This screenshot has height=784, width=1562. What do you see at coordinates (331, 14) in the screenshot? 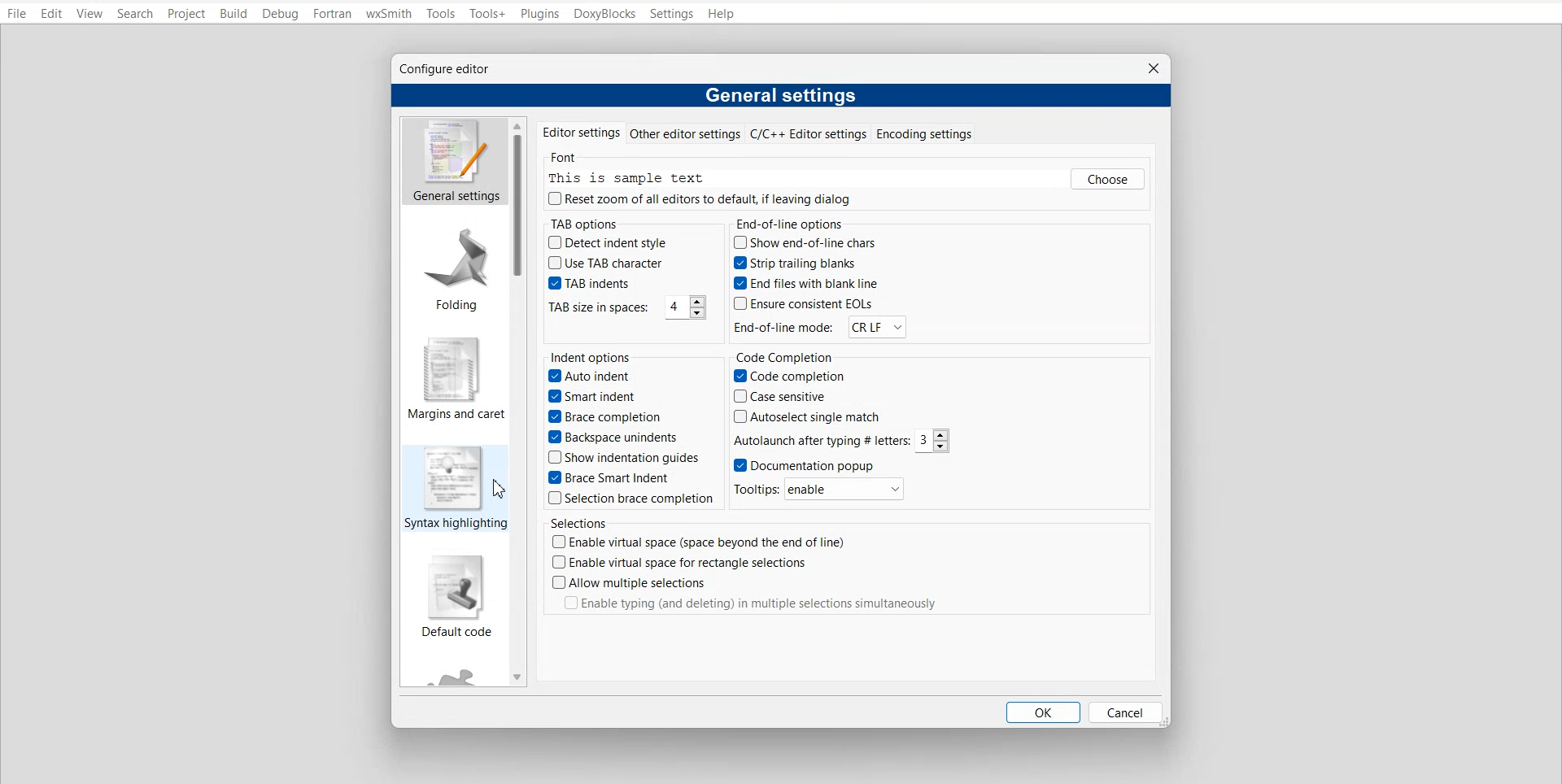
I see `Fortran` at bounding box center [331, 14].